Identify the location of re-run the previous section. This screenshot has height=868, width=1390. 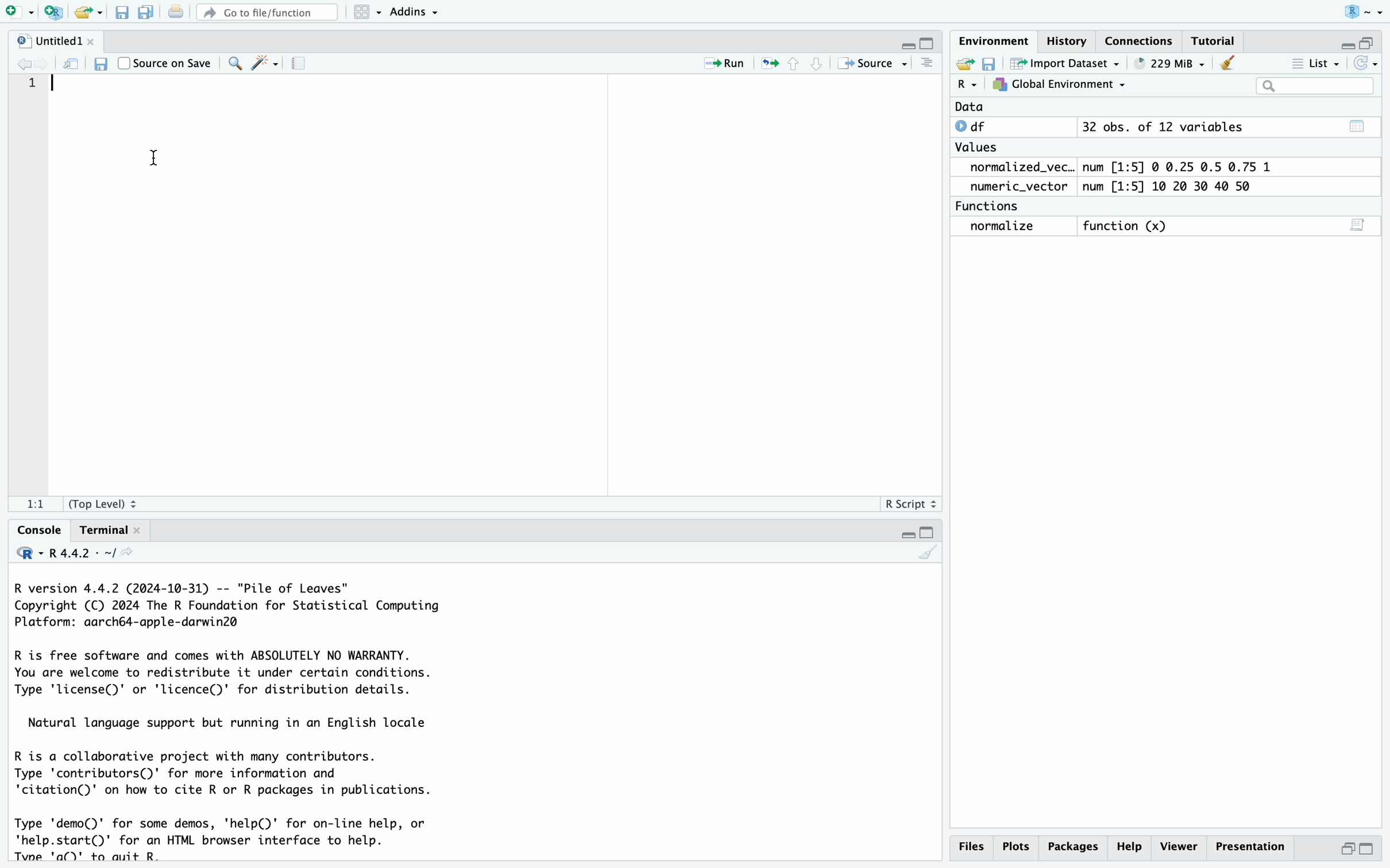
(770, 64).